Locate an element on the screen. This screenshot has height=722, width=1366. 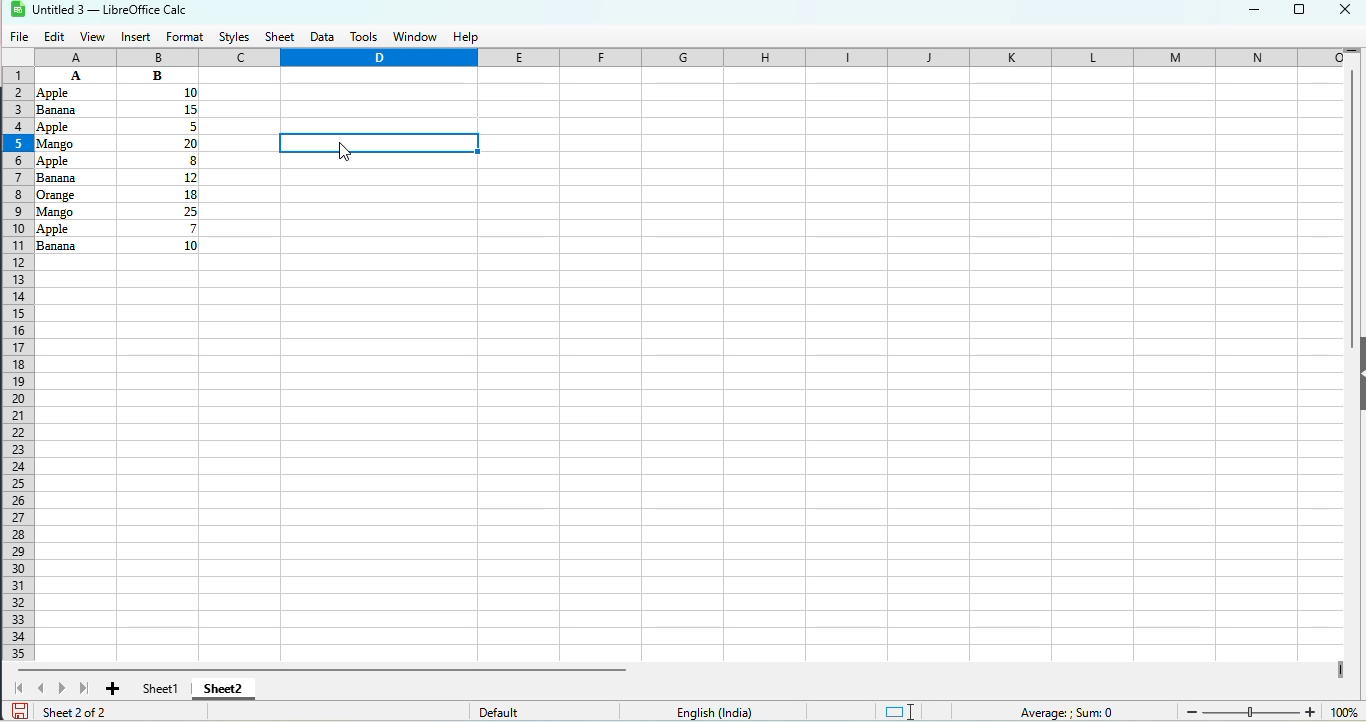
title is located at coordinates (111, 10).